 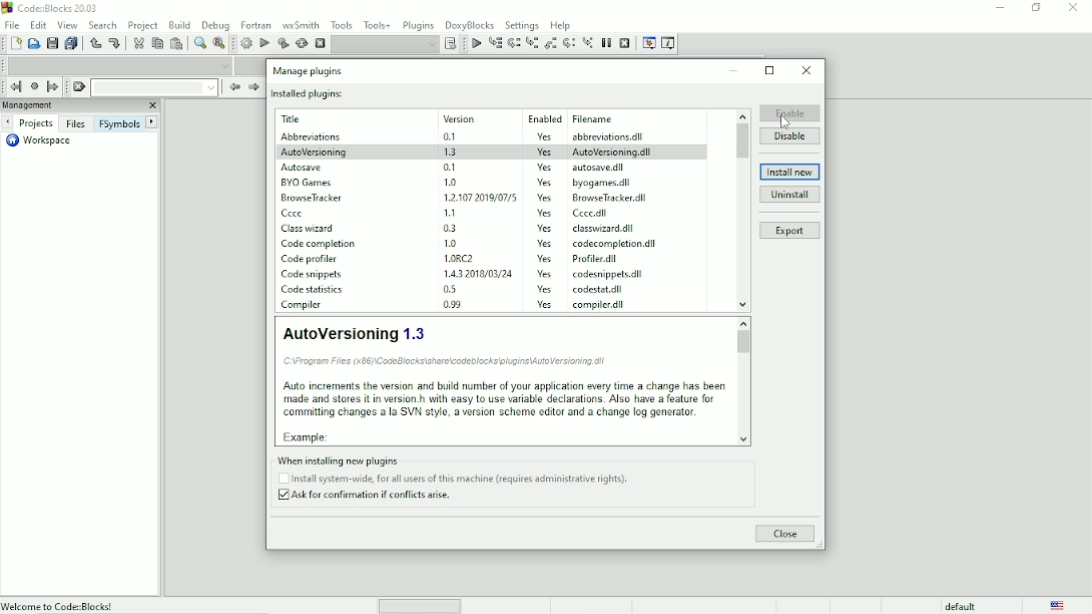 I want to click on plugin, so click(x=313, y=137).